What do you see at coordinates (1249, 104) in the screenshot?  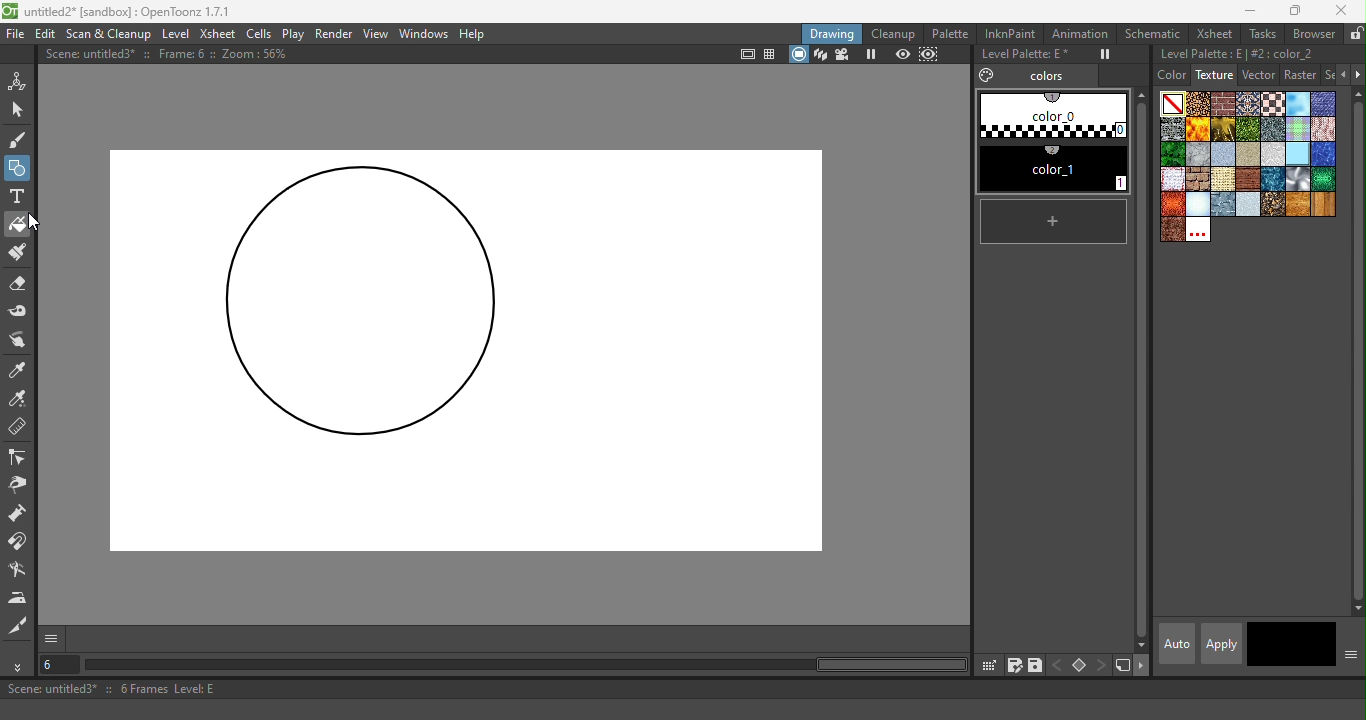 I see `Carpet.bmp` at bounding box center [1249, 104].